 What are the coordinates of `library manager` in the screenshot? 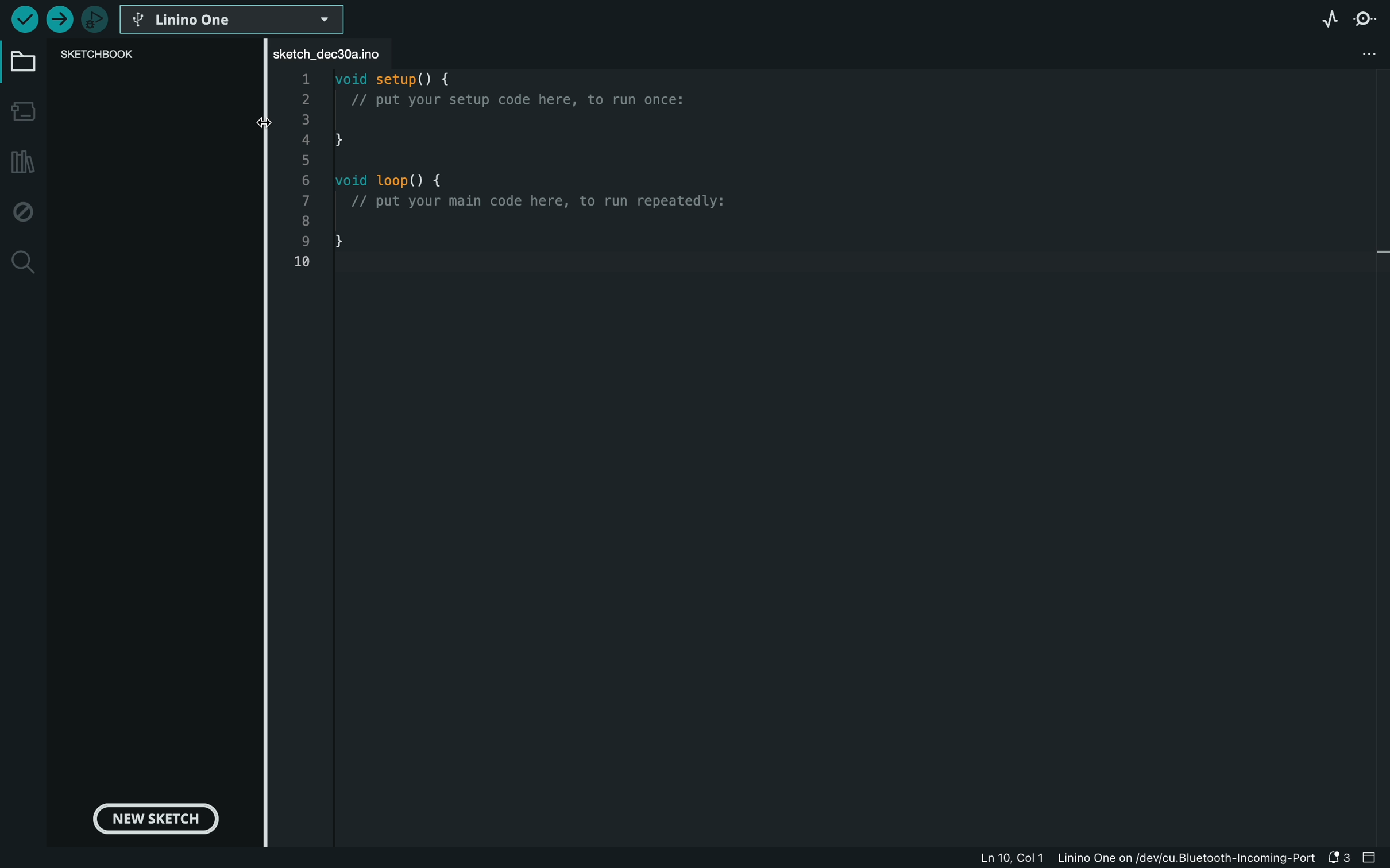 It's located at (20, 164).